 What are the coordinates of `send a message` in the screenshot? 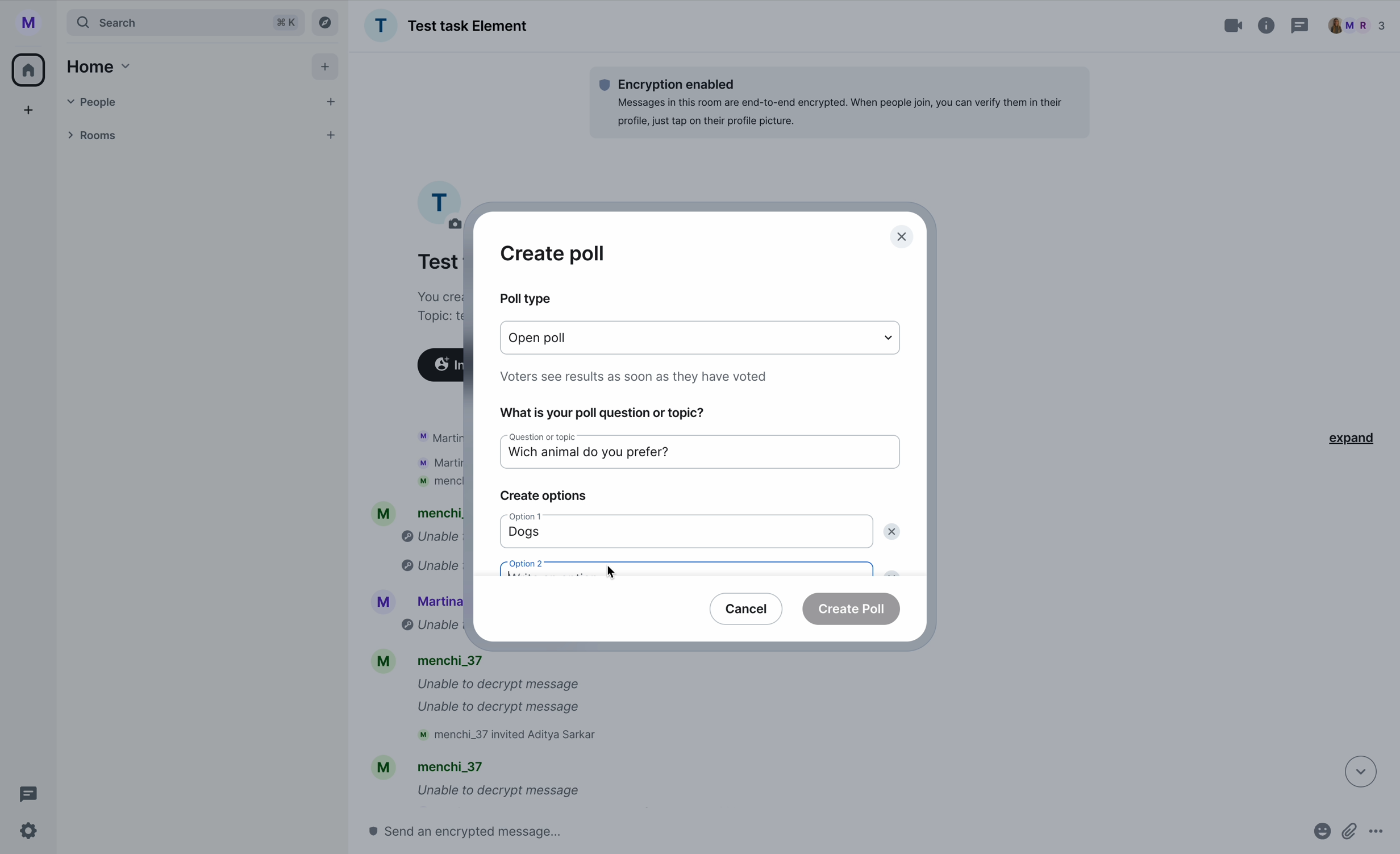 It's located at (489, 831).